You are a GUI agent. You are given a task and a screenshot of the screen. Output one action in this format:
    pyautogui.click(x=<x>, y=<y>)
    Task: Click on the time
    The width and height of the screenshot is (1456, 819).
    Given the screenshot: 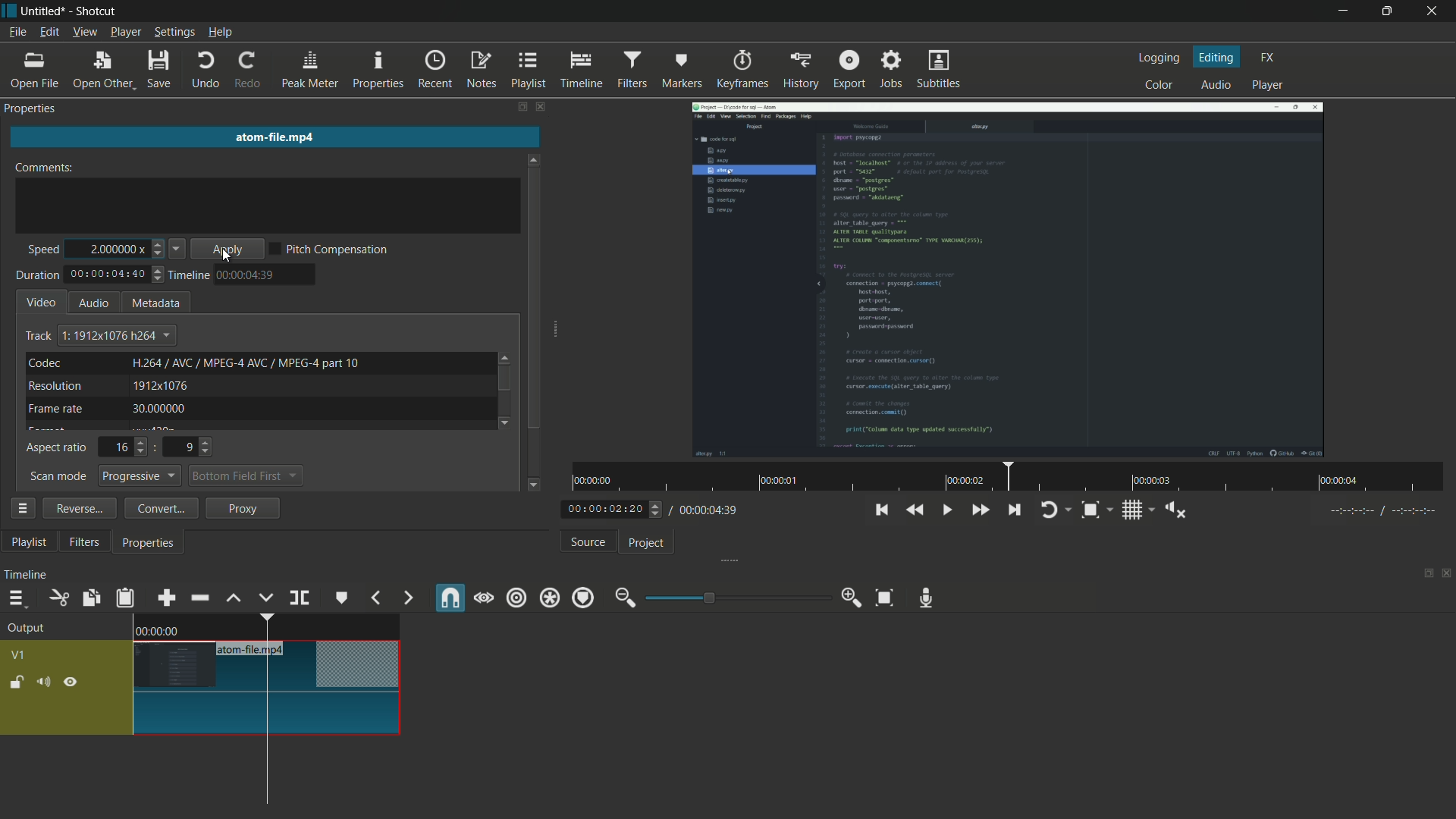 What is the action you would take?
    pyautogui.click(x=247, y=275)
    